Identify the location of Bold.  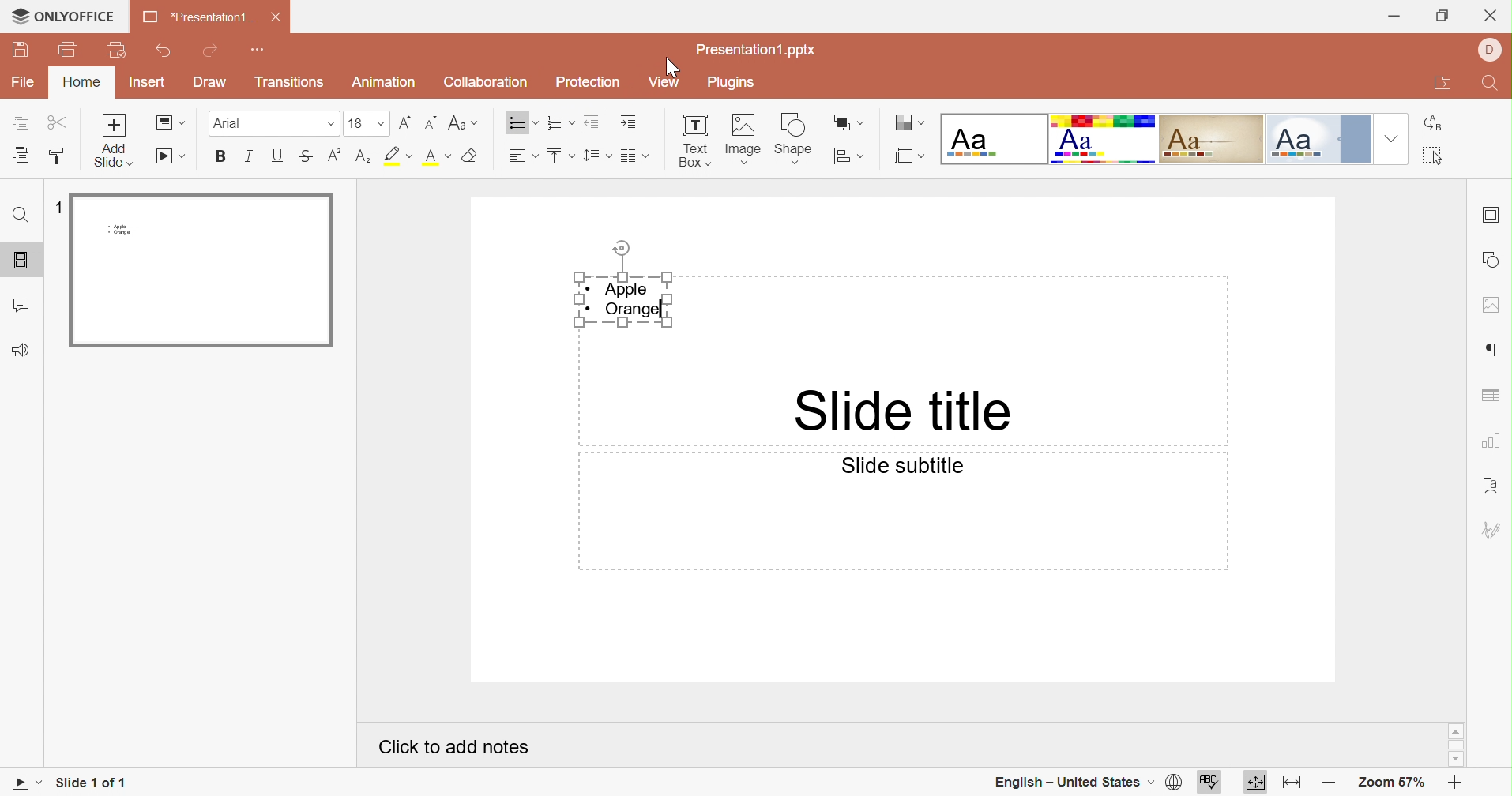
(228, 154).